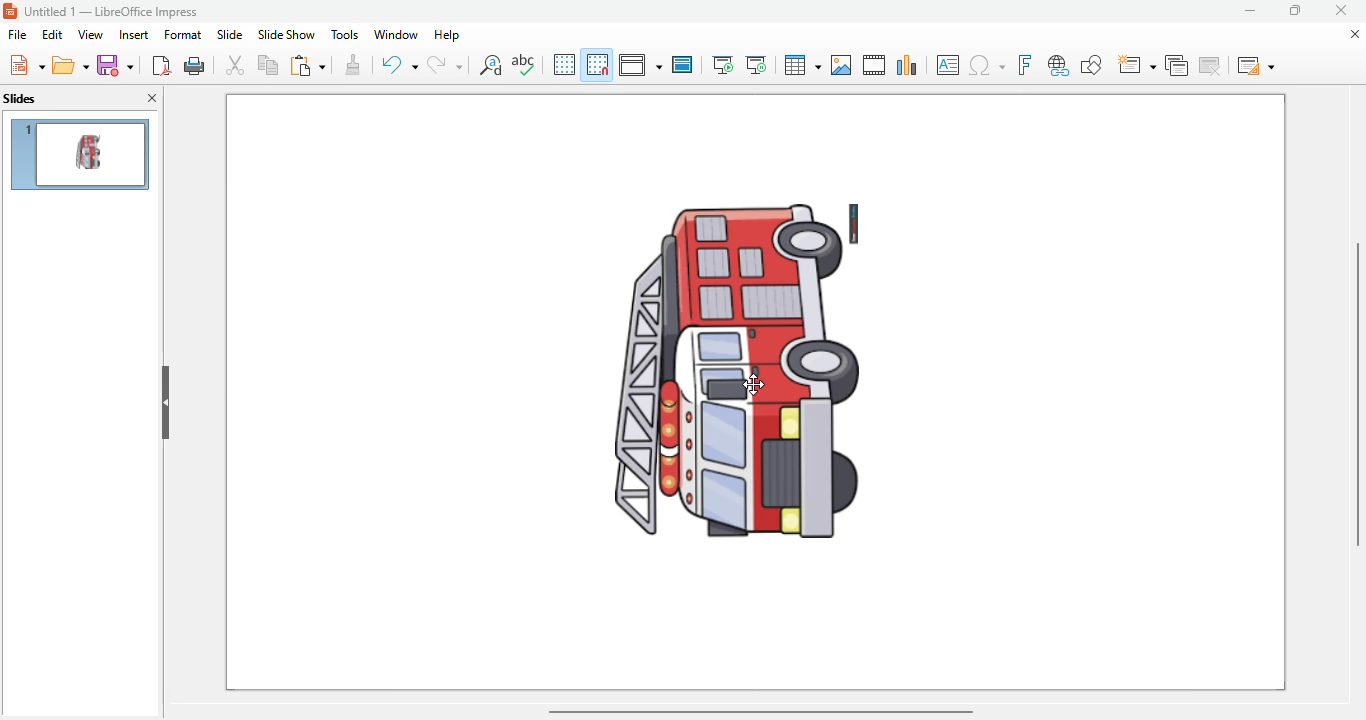 The width and height of the screenshot is (1366, 720). Describe the element at coordinates (116, 65) in the screenshot. I see `save` at that location.